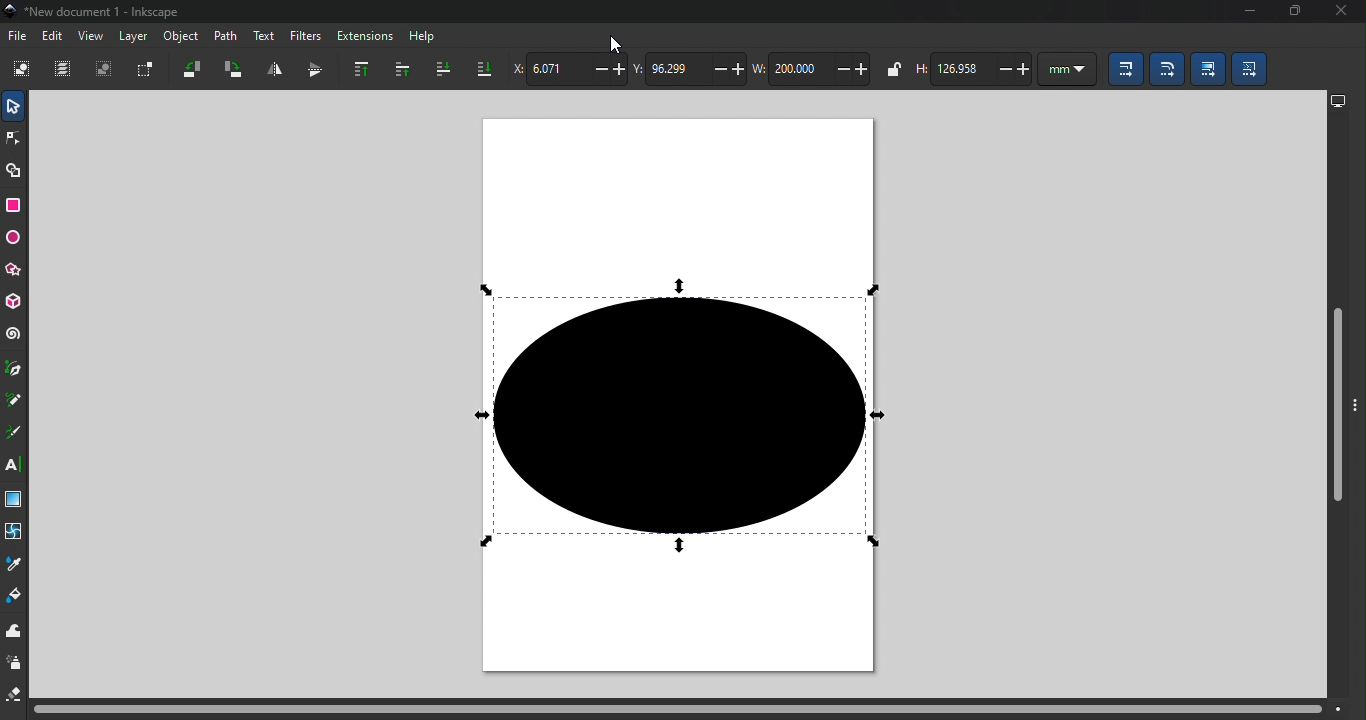 This screenshot has width=1366, height=720. Describe the element at coordinates (15, 403) in the screenshot. I see `Pencil tool` at that location.